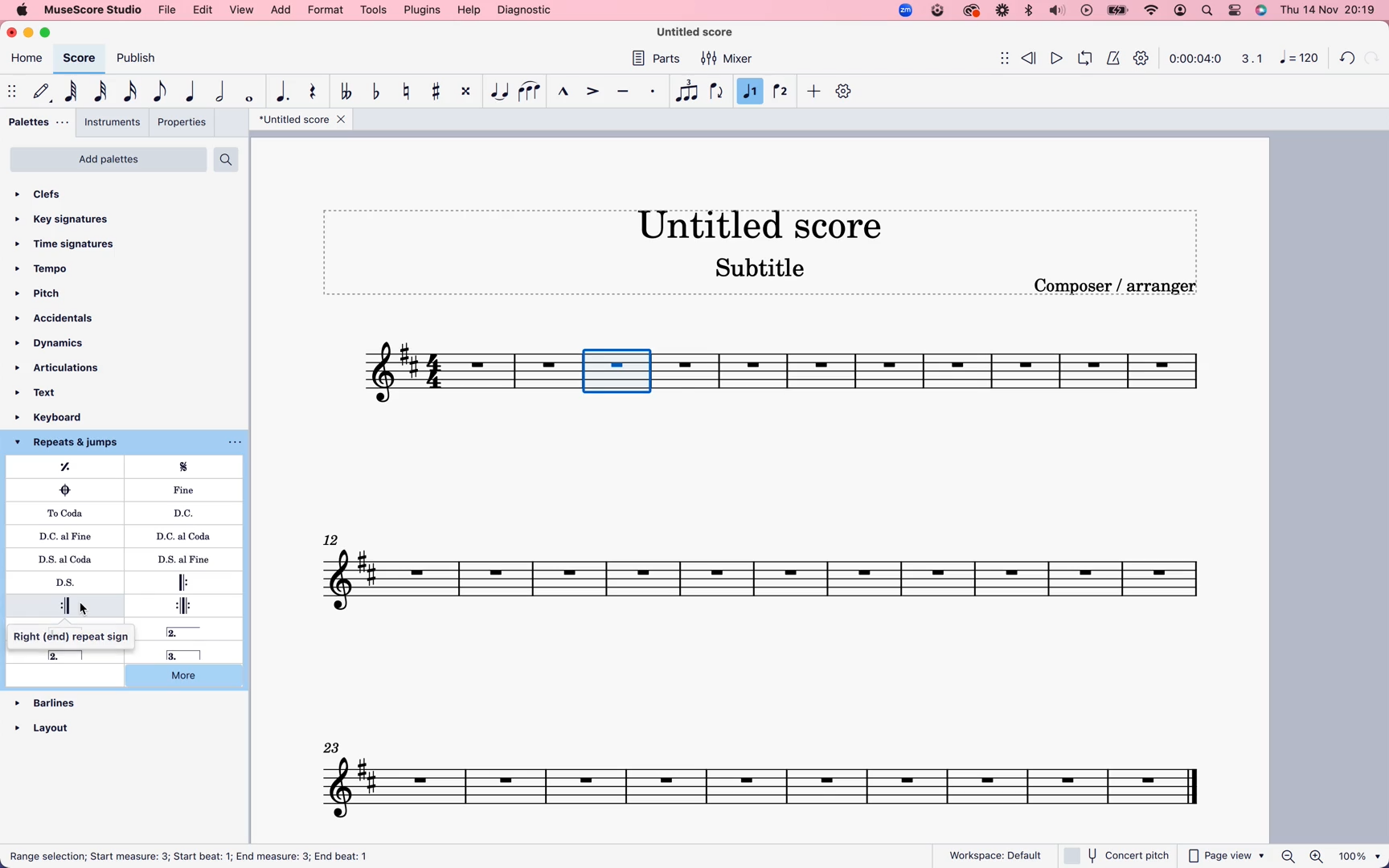 This screenshot has width=1389, height=868. I want to click on play, so click(1057, 56).